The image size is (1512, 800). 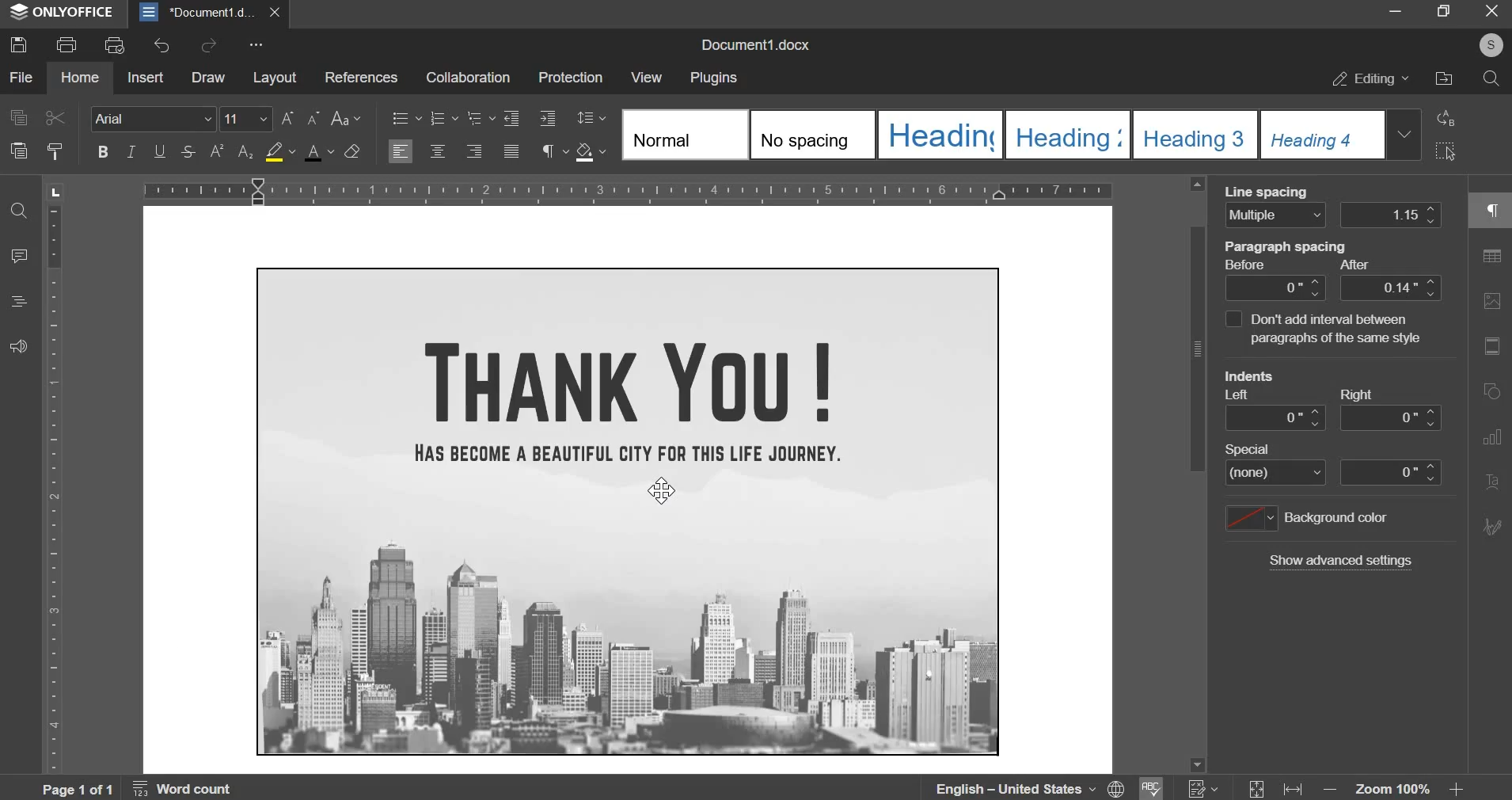 I want to click on special, so click(x=1251, y=450).